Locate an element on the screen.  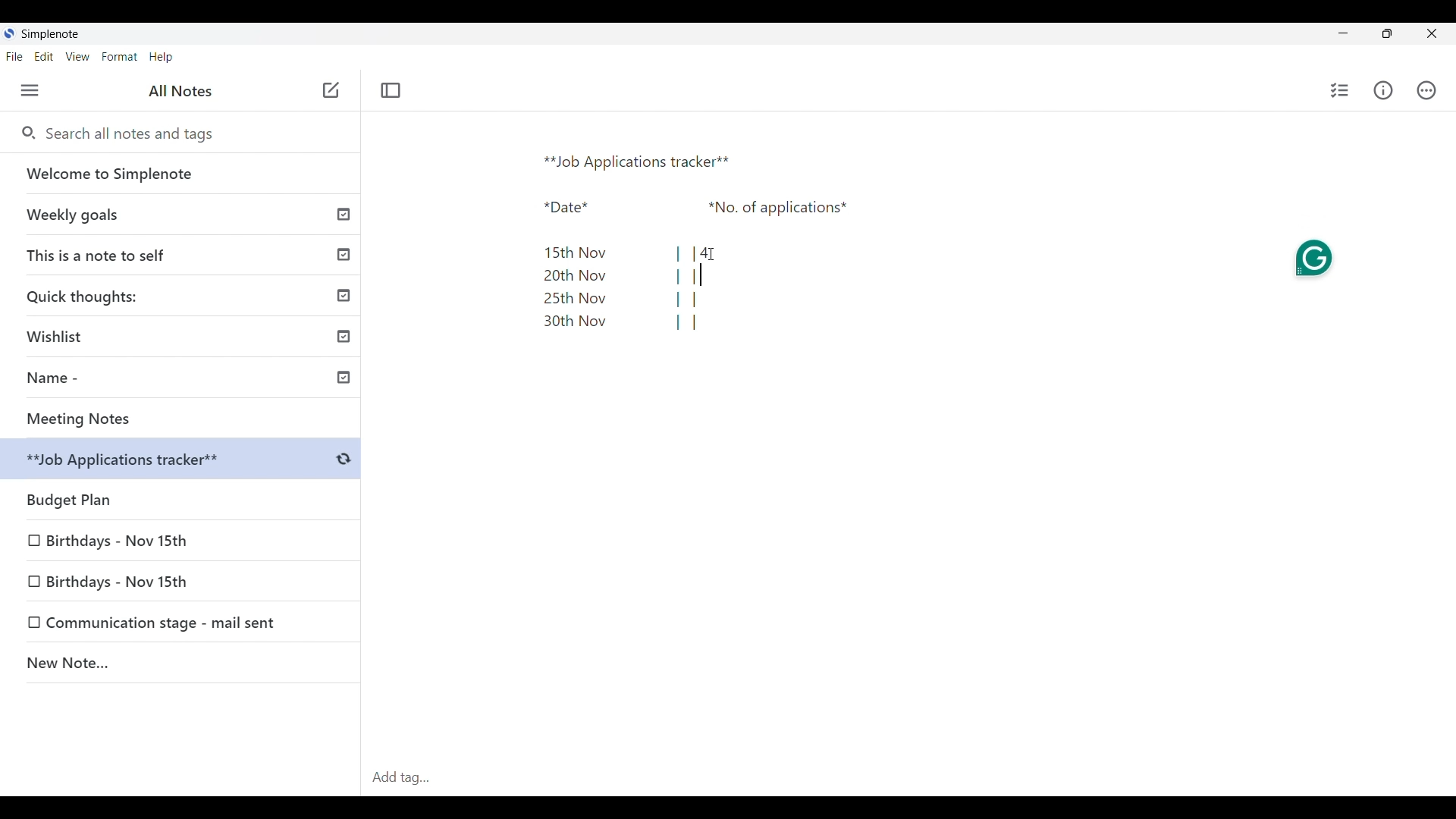
Toggle focus mode is located at coordinates (390, 90).